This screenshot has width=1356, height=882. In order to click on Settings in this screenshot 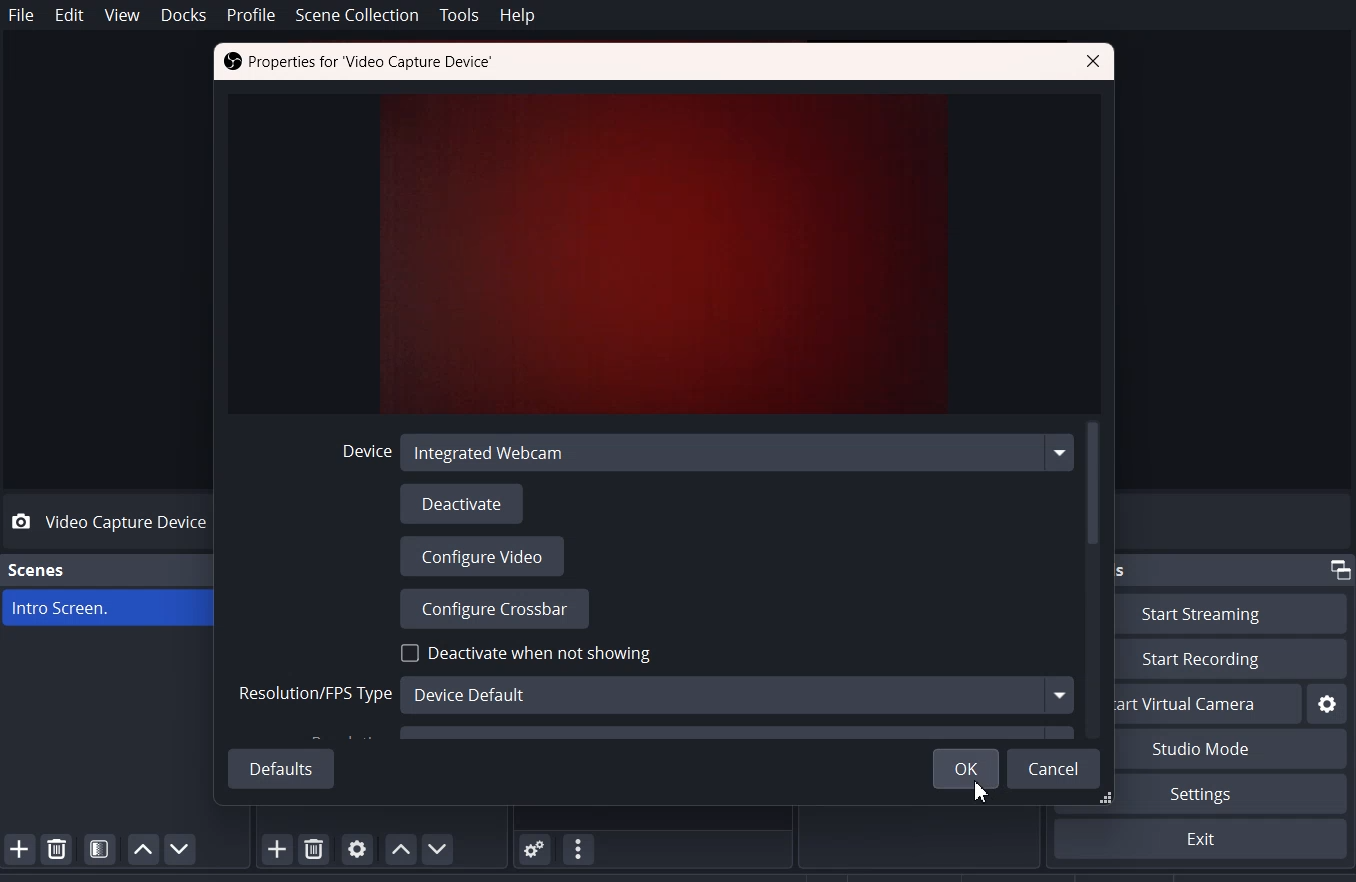, I will do `click(1199, 839)`.